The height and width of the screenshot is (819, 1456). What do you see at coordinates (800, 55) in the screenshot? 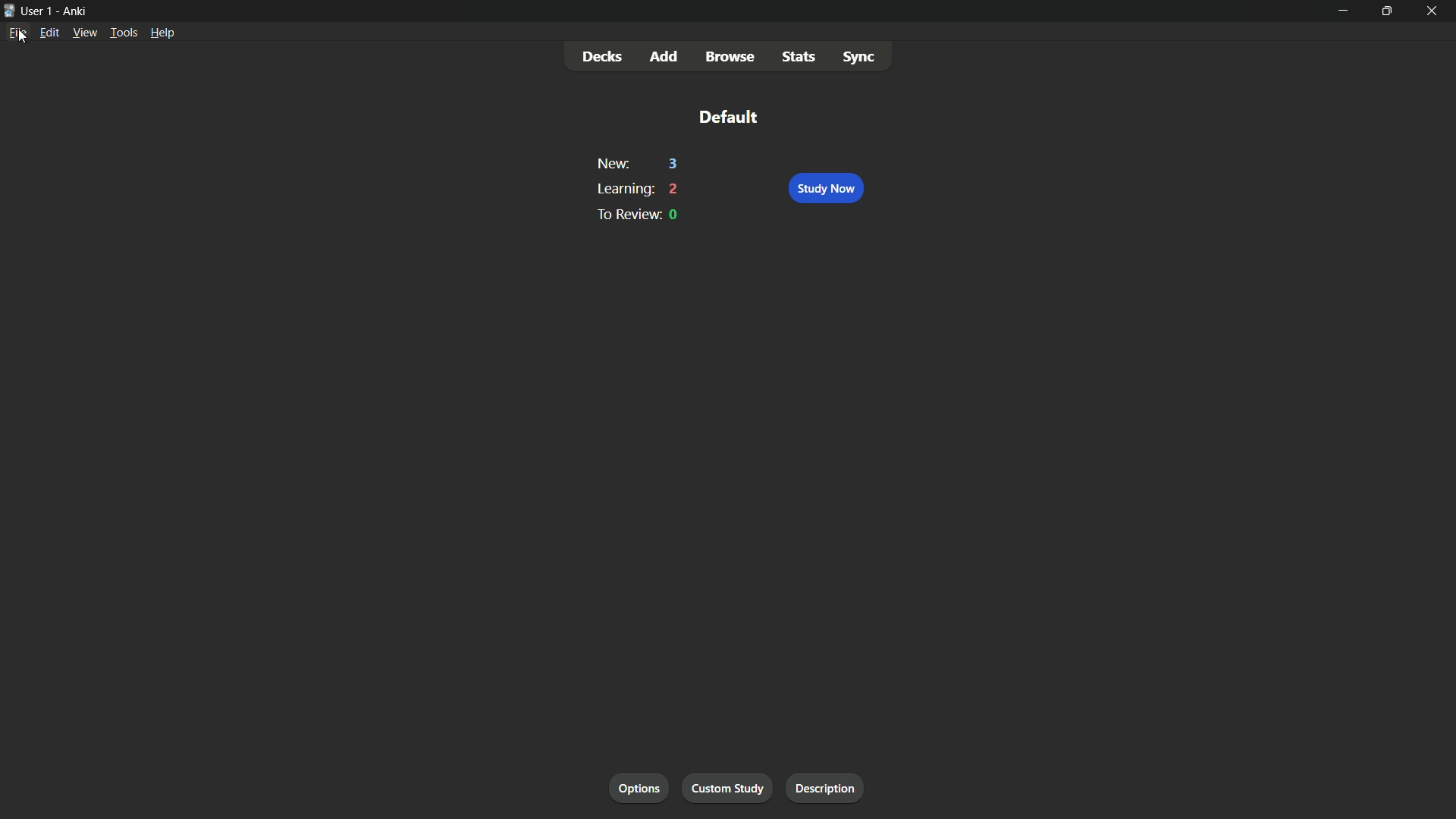
I see `stats` at bounding box center [800, 55].